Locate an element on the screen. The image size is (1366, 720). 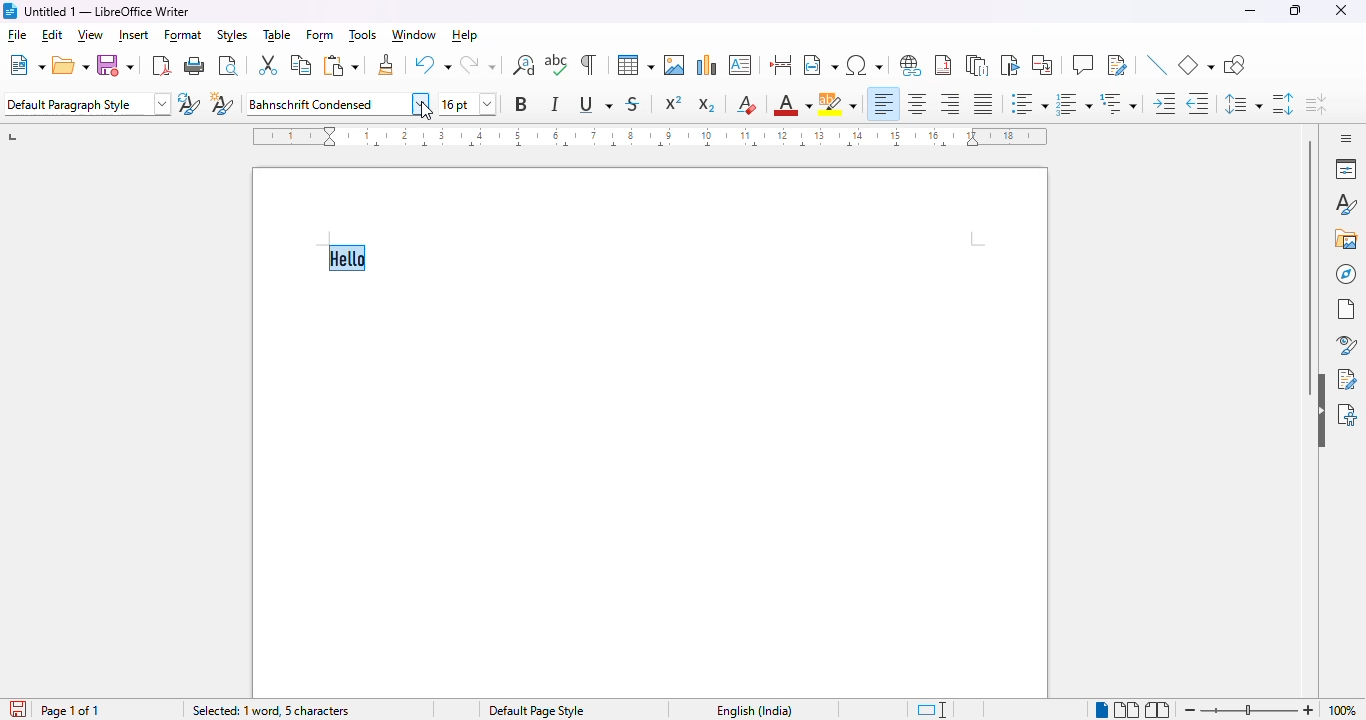
show draw functions is located at coordinates (1233, 65).